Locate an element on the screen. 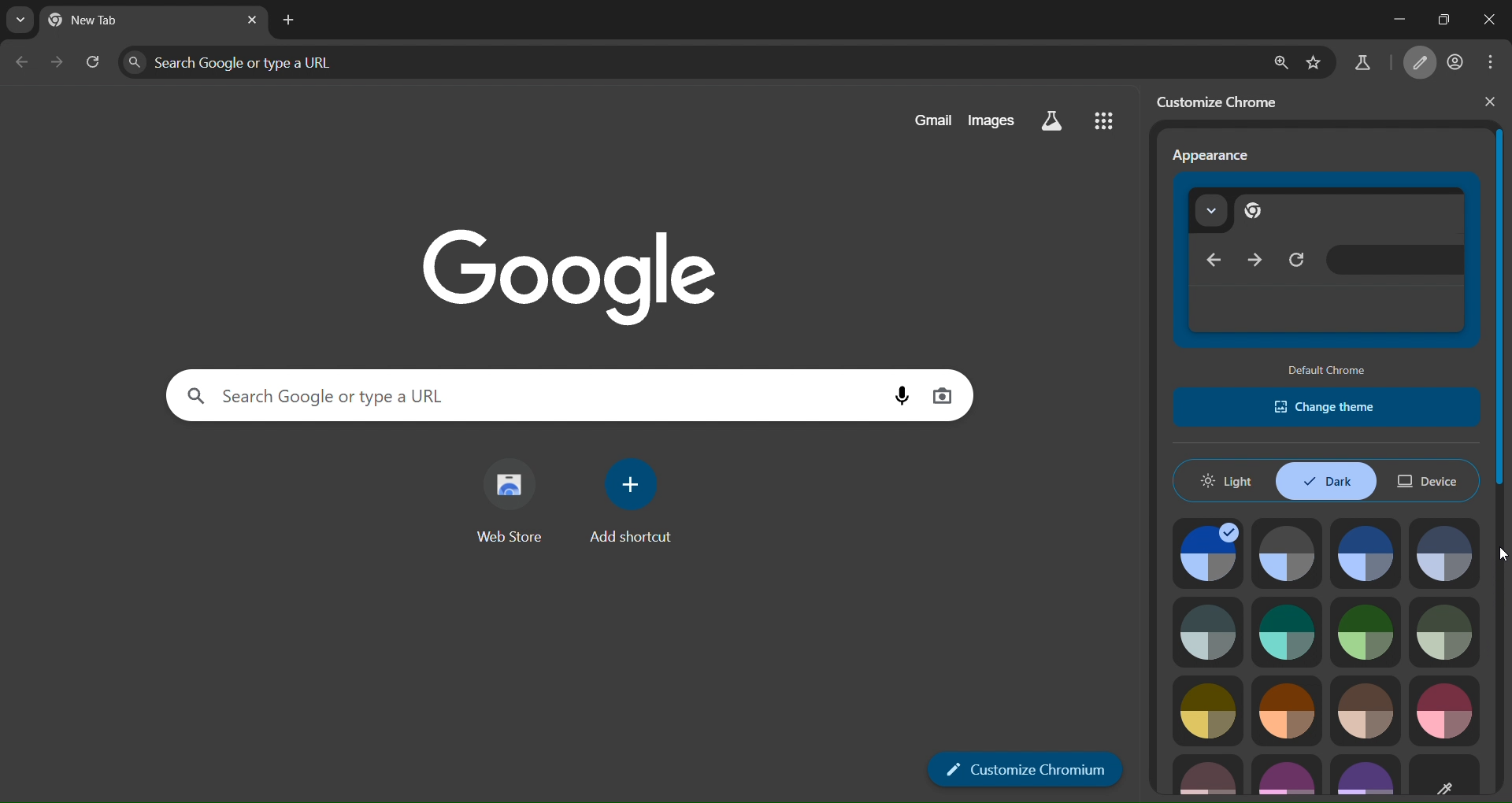 This screenshot has height=803, width=1512. light is located at coordinates (1230, 479).